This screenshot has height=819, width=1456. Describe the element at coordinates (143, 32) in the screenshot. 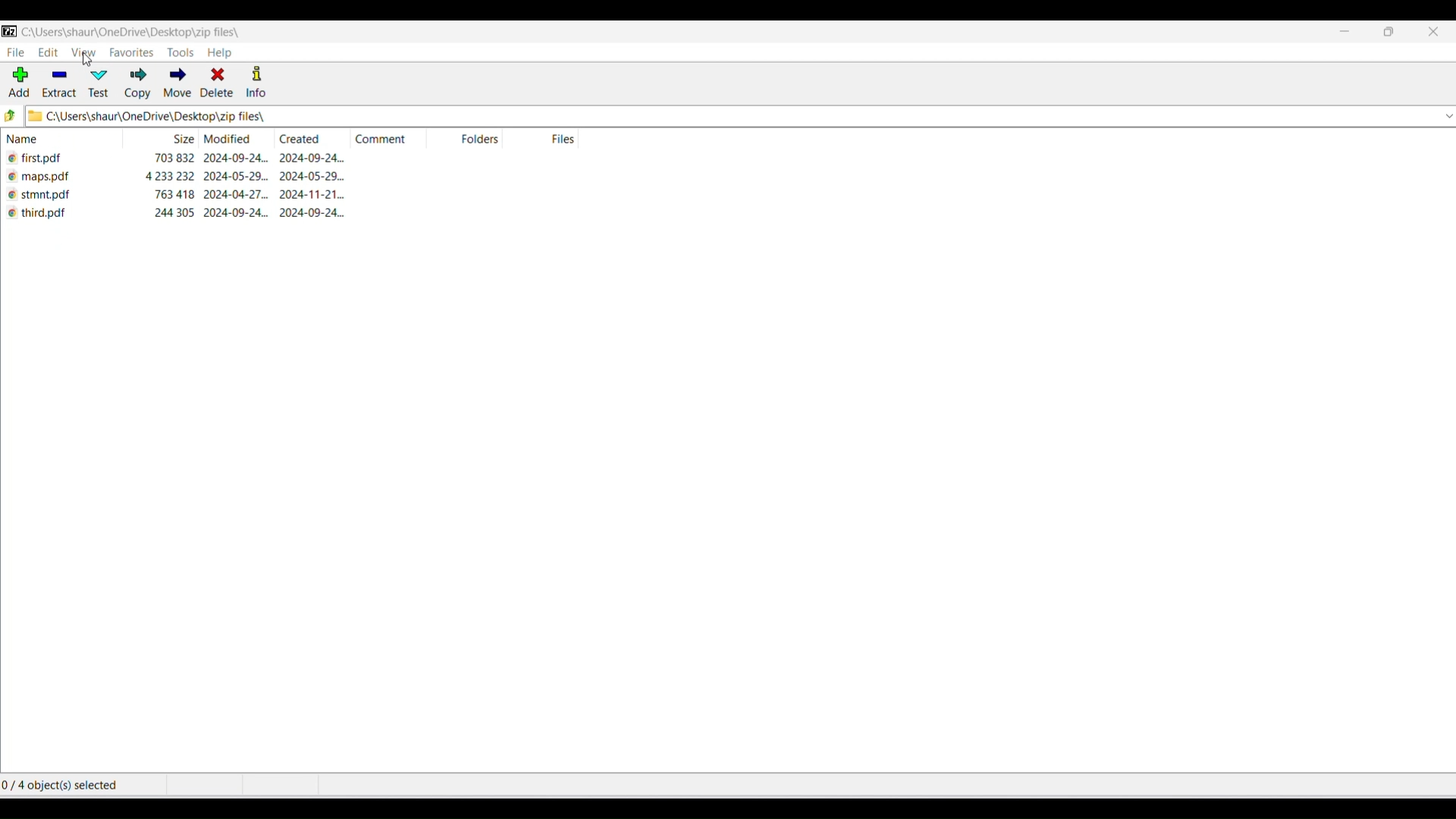

I see `current folder path` at that location.